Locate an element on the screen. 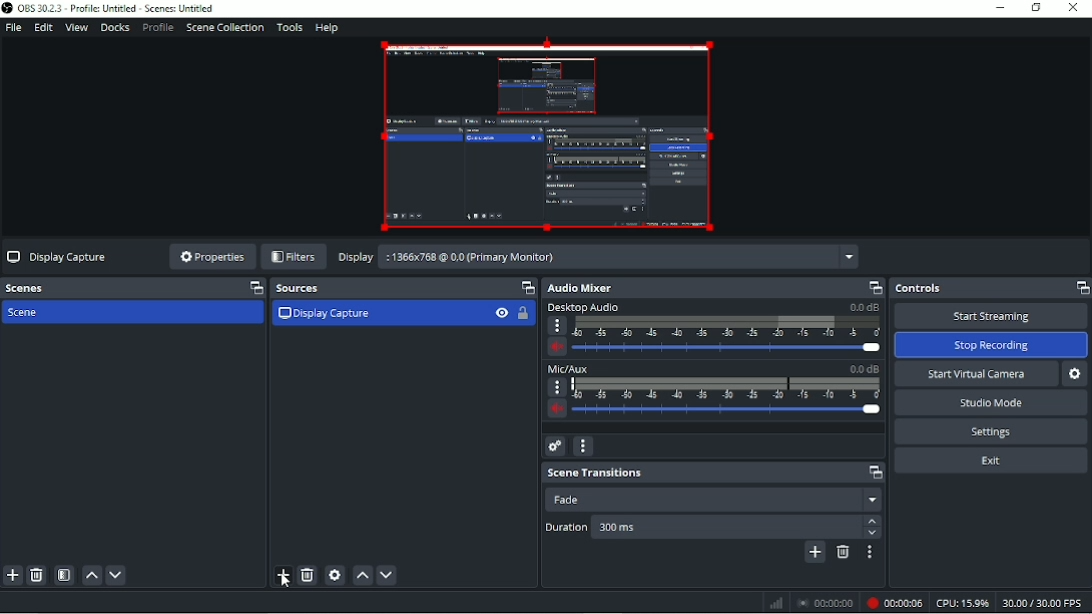 The height and width of the screenshot is (614, 1092). Open scene filters is located at coordinates (64, 575).